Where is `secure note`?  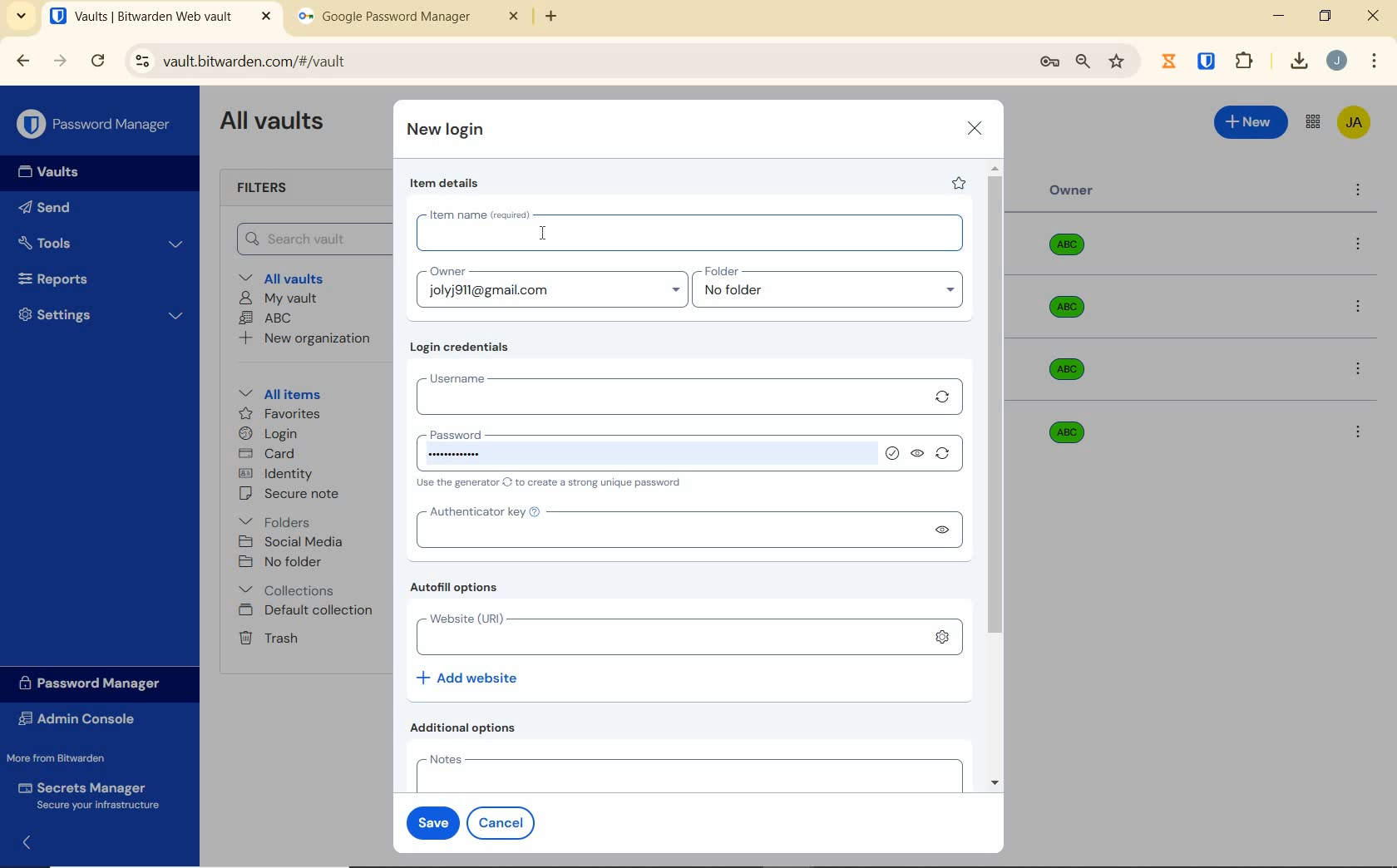 secure note is located at coordinates (294, 494).